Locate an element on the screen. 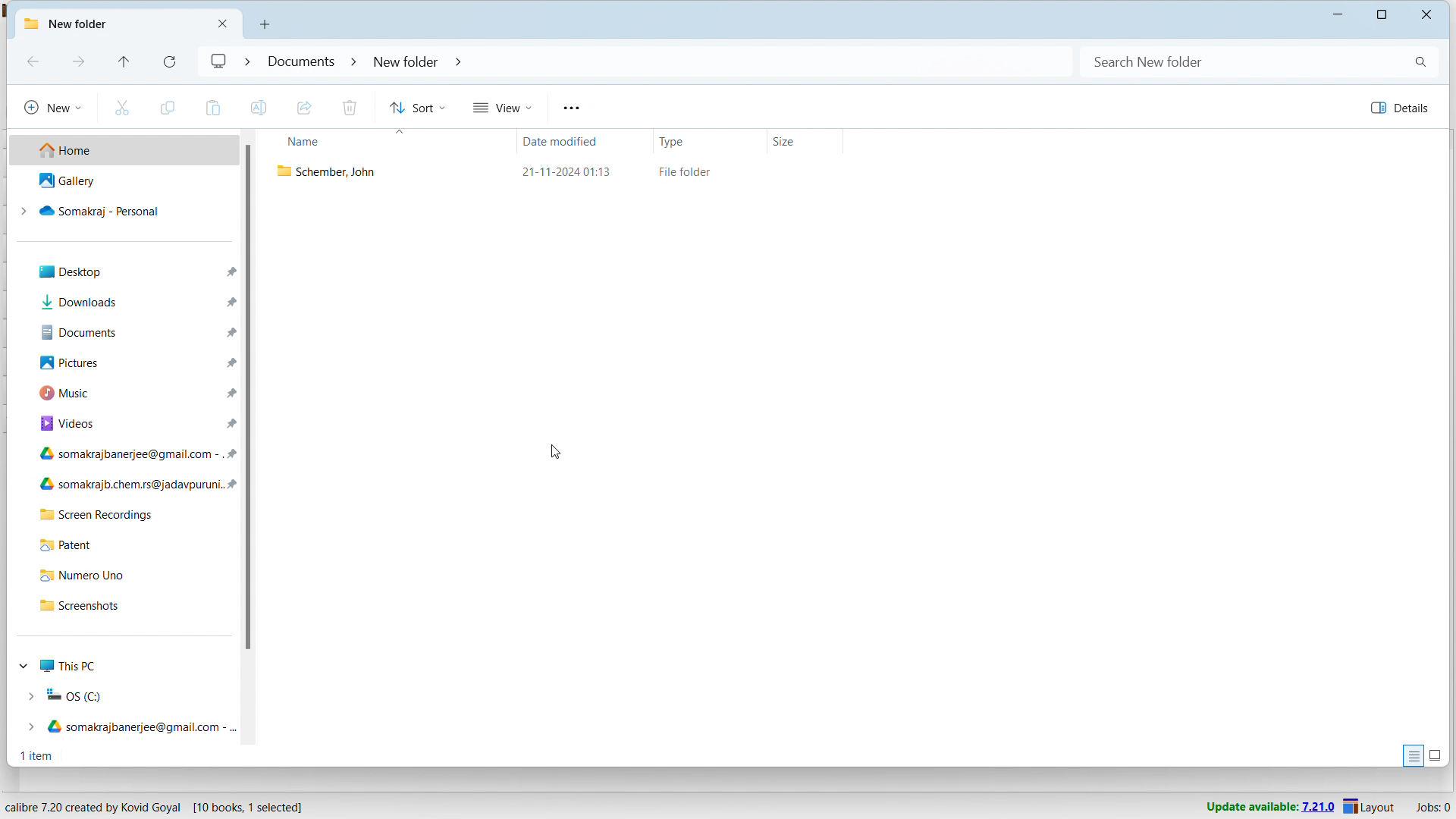 This screenshot has width=1456, height=819. documents is located at coordinates (134, 329).